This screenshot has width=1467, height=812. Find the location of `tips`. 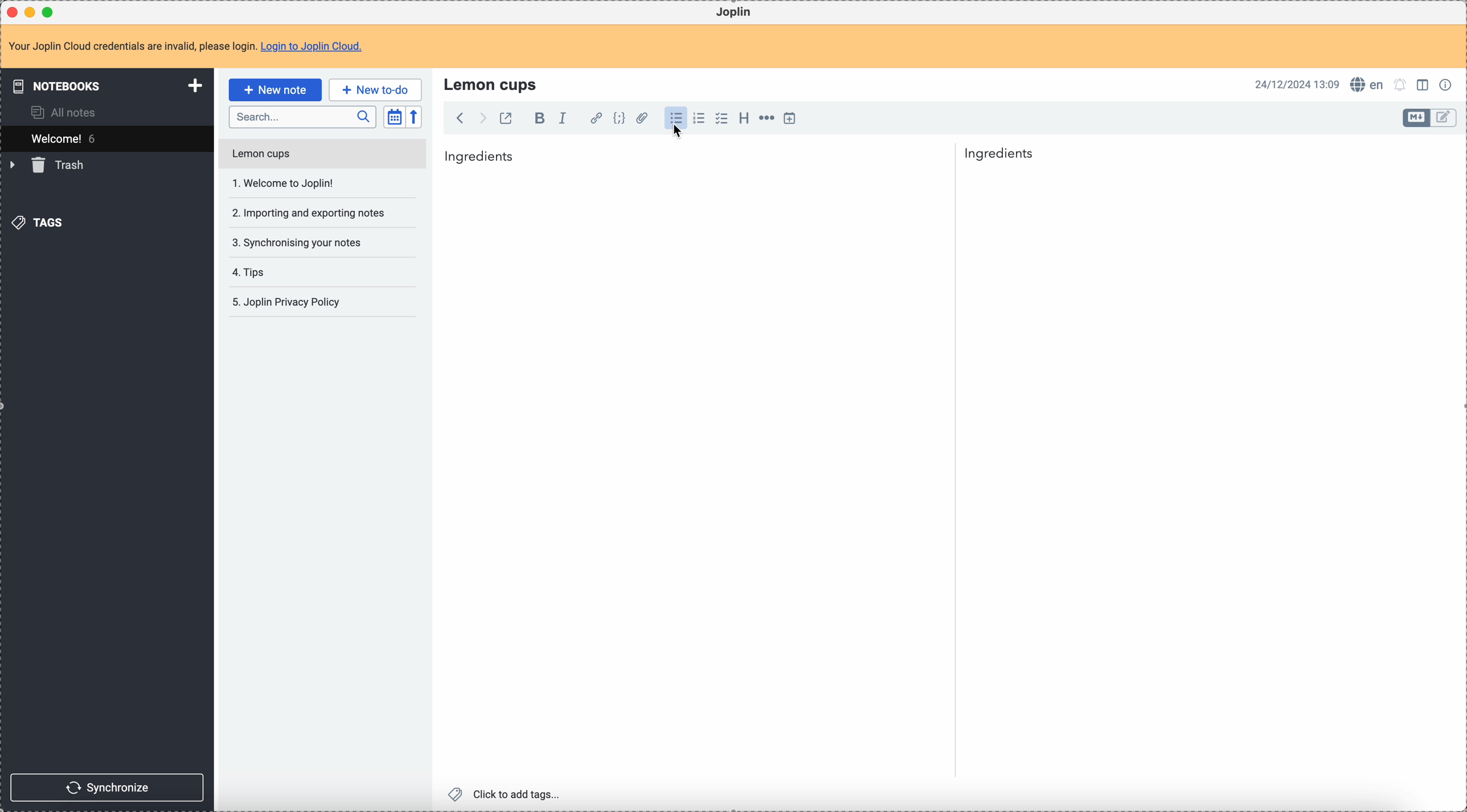

tips is located at coordinates (251, 273).